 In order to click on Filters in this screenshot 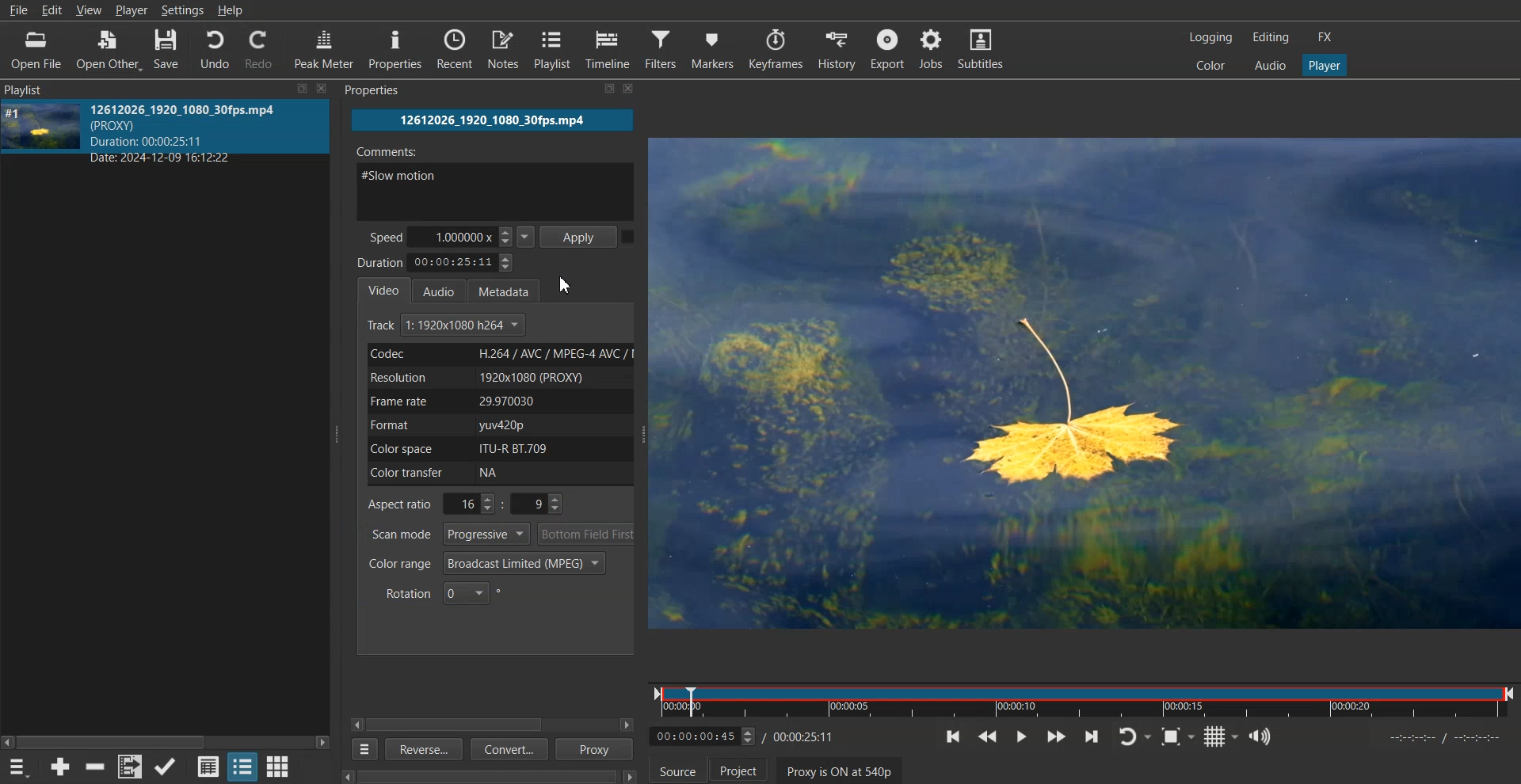, I will do `click(661, 48)`.